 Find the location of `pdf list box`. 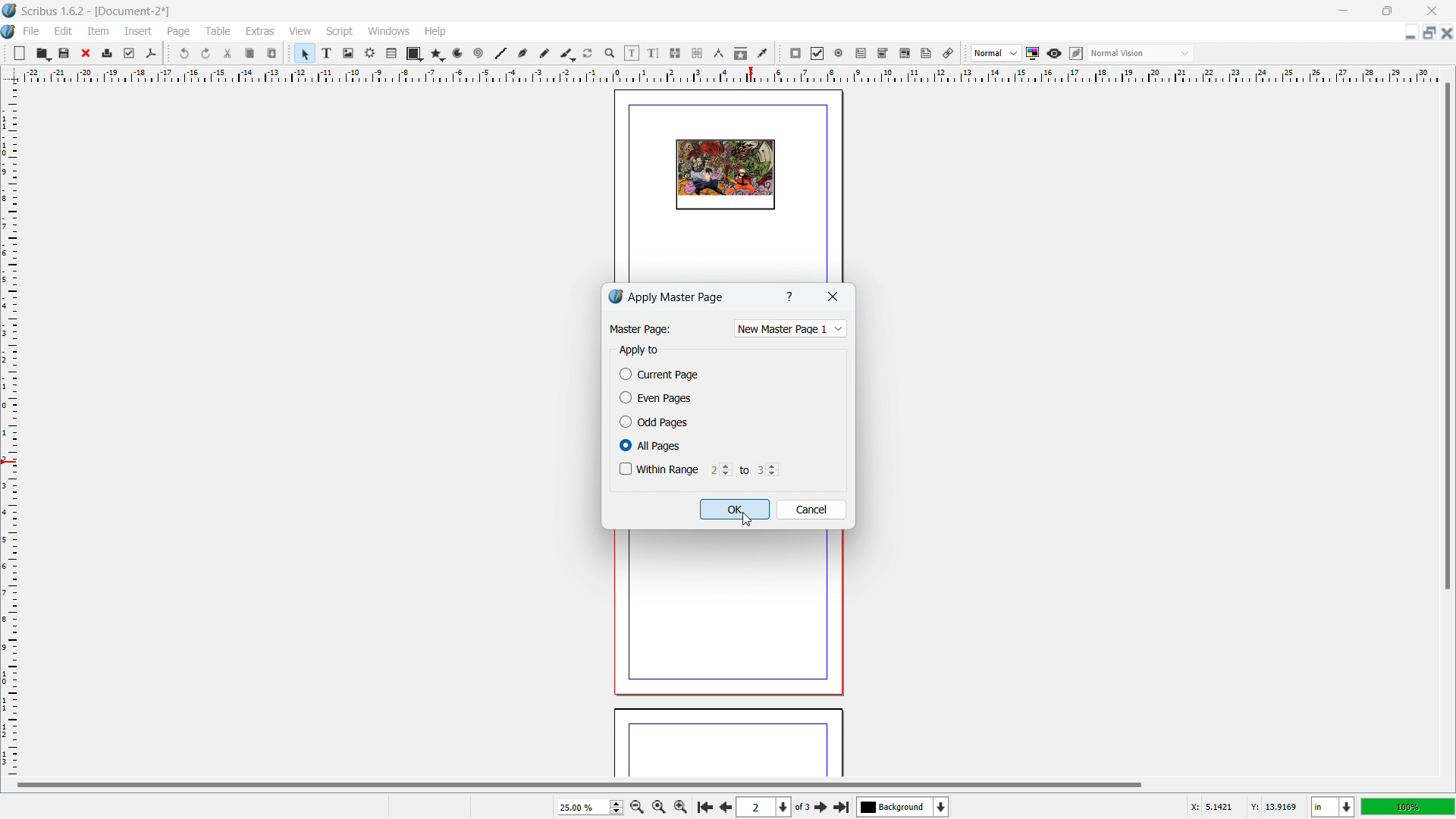

pdf list box is located at coordinates (905, 54).